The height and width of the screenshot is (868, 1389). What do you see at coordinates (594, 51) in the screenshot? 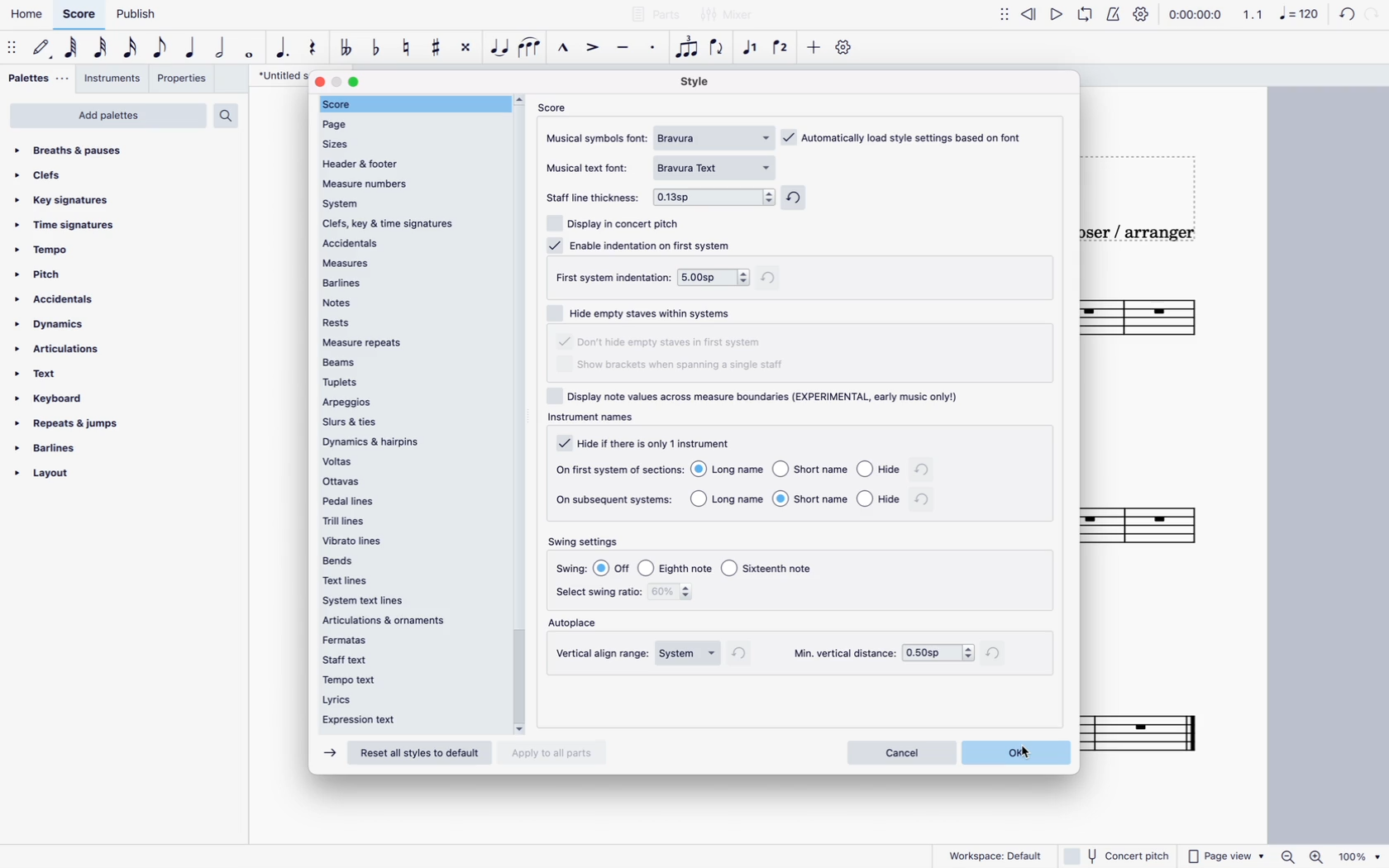
I see `accent ` at bounding box center [594, 51].